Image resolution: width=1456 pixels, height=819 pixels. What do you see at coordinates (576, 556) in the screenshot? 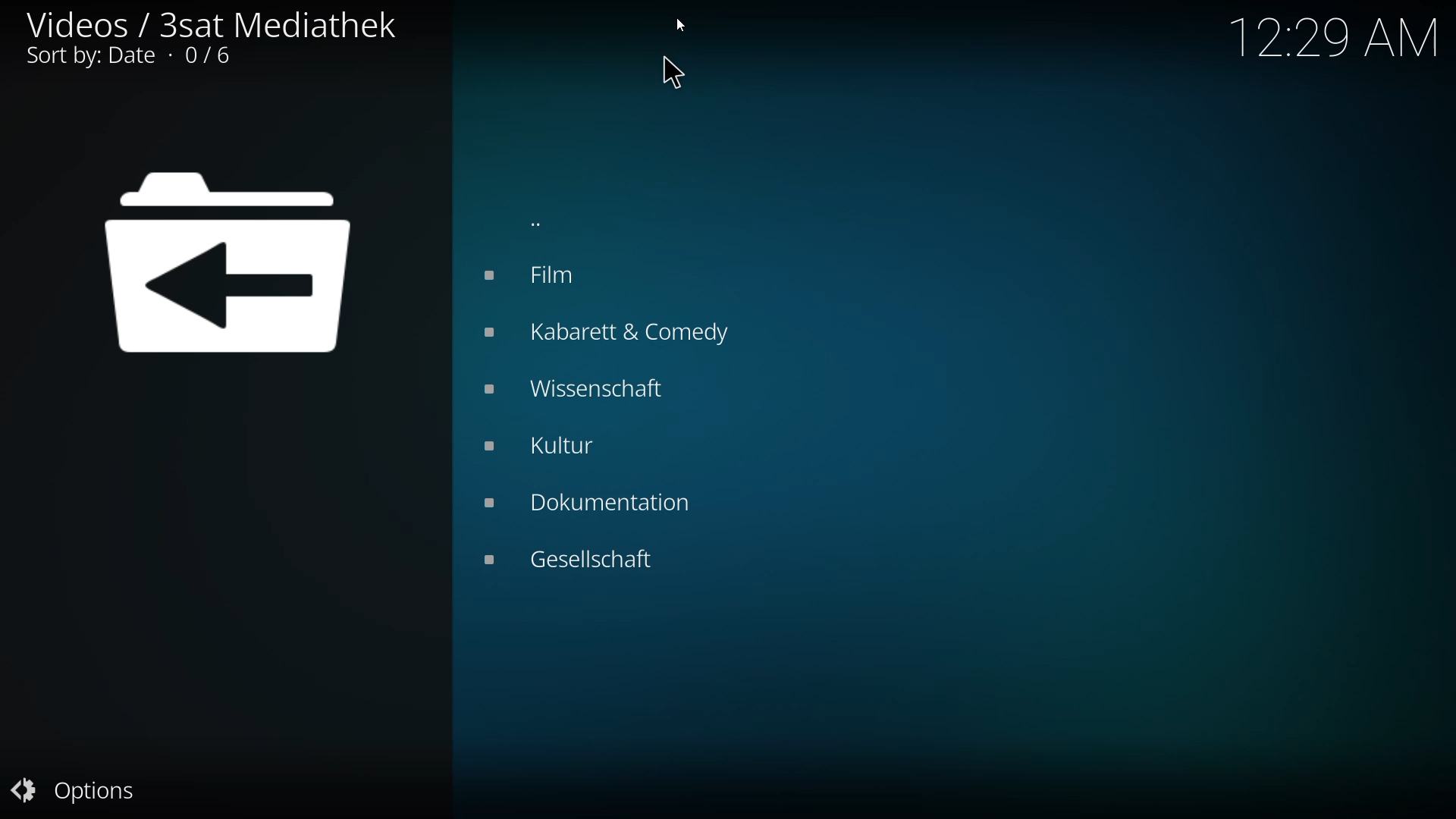
I see `gesellschaft` at bounding box center [576, 556].